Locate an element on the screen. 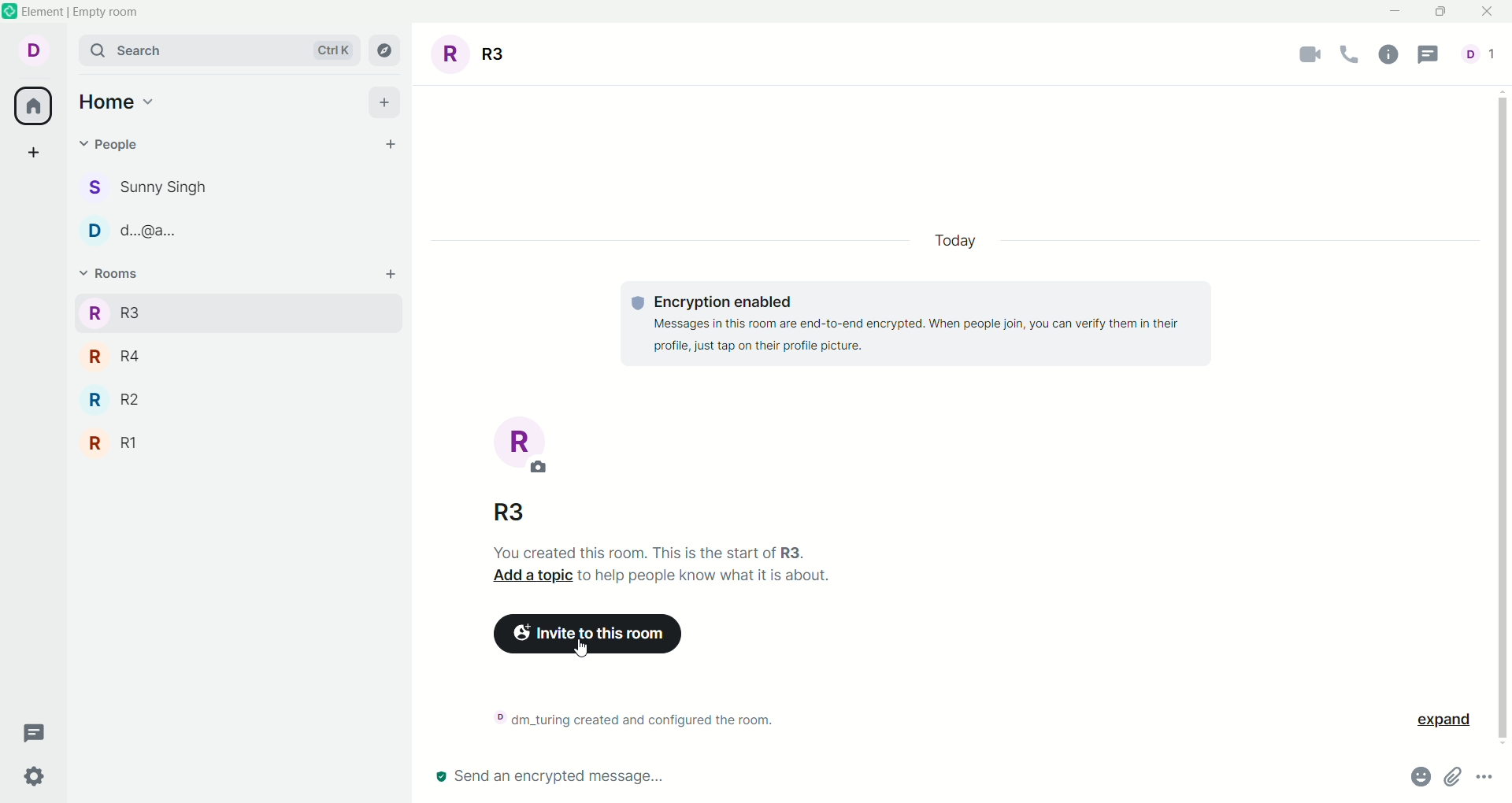  today is located at coordinates (963, 235).